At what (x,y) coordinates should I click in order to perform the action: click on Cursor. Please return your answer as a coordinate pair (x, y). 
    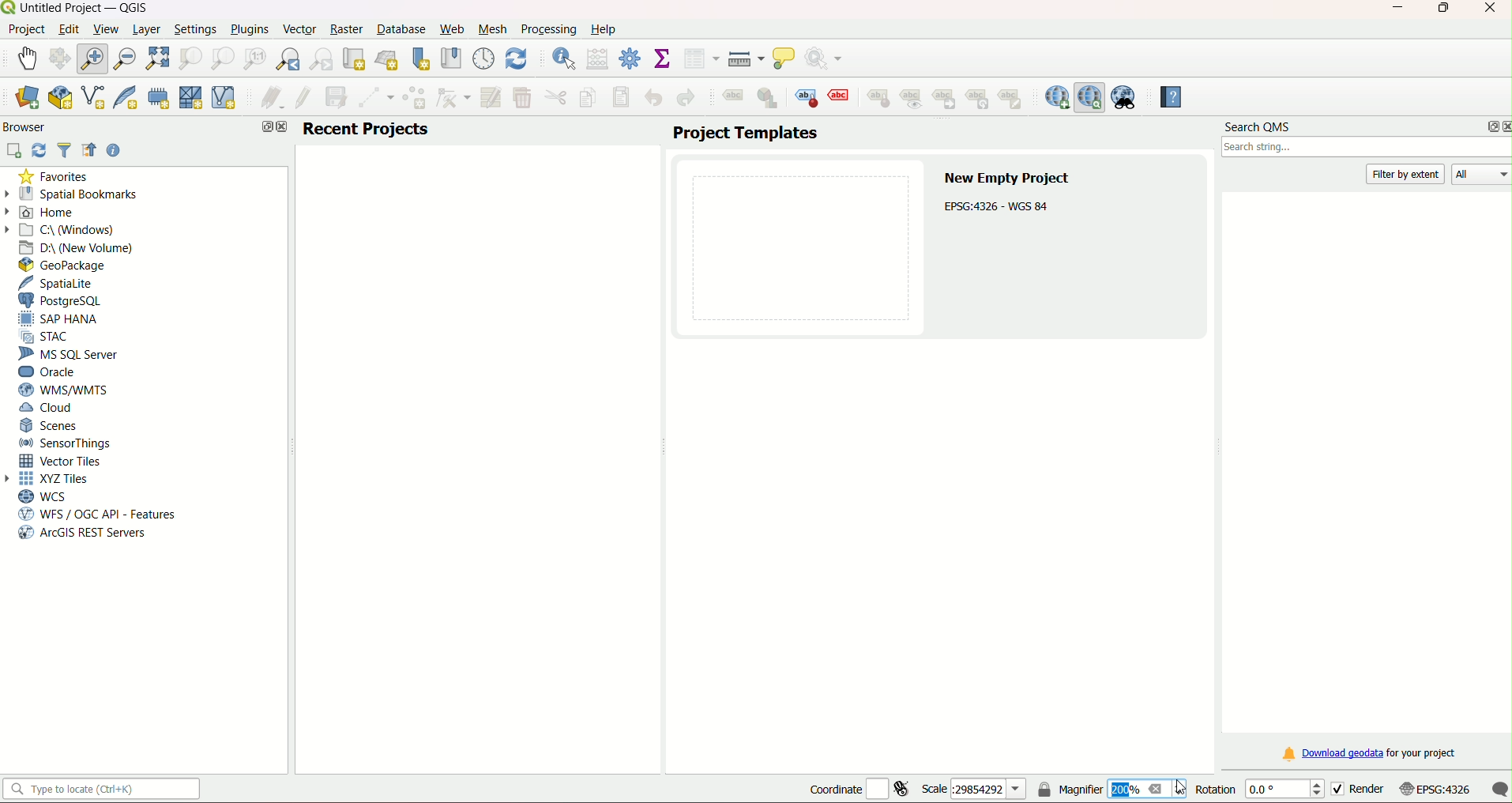
    Looking at the image, I should click on (1181, 785).